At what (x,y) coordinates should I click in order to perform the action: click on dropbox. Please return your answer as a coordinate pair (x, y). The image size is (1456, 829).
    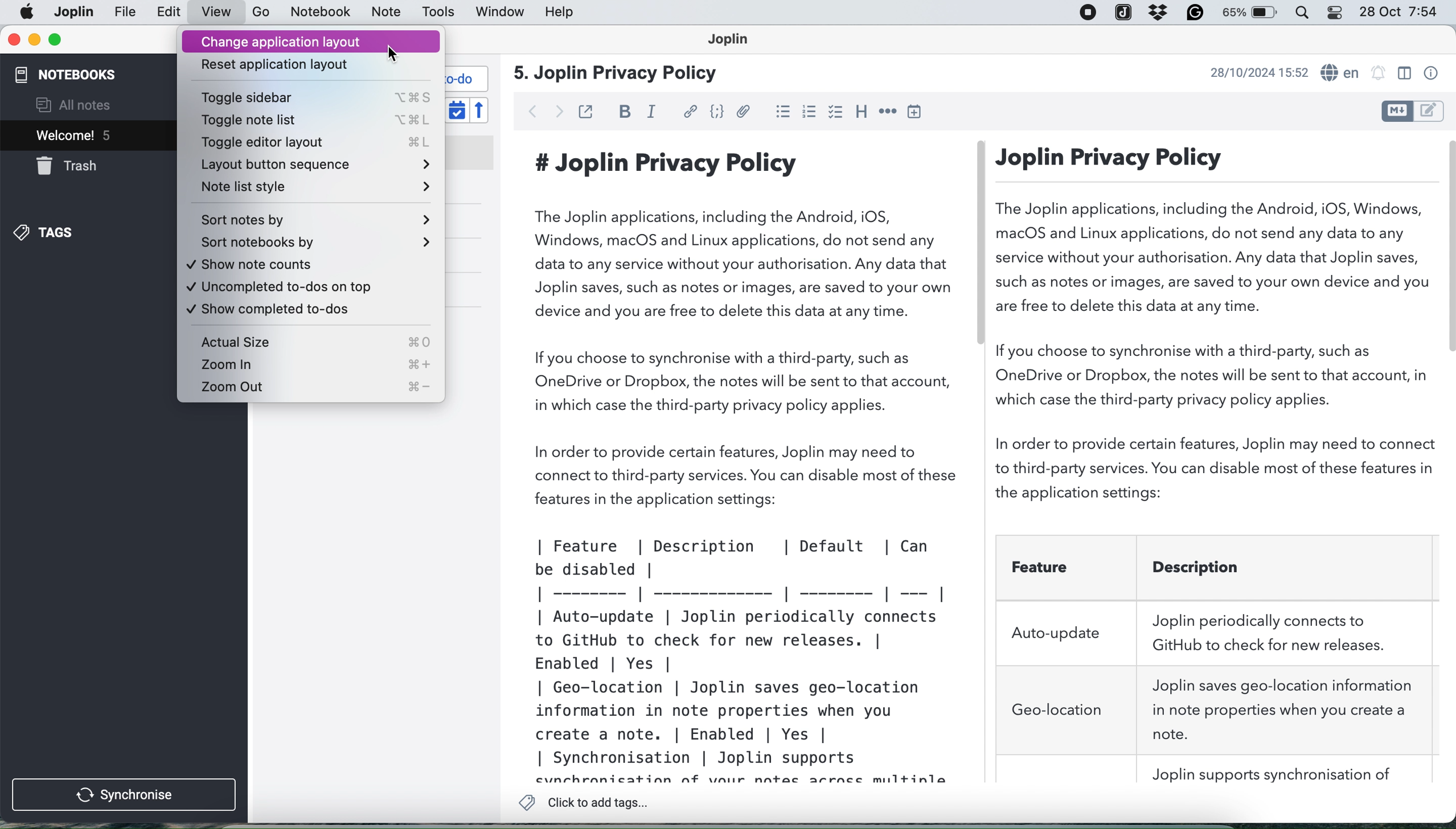
    Looking at the image, I should click on (1155, 13).